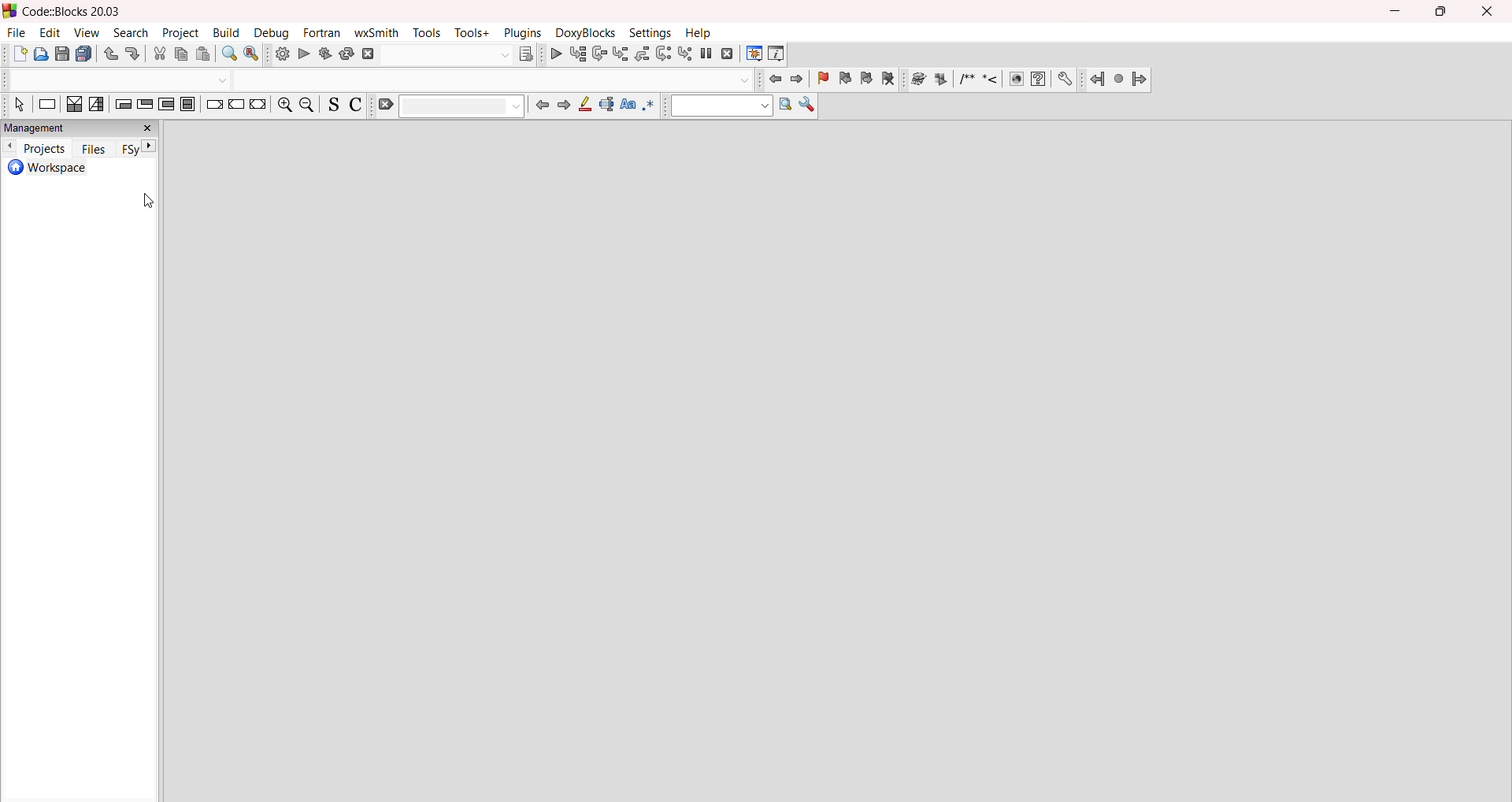  I want to click on find, so click(232, 54).